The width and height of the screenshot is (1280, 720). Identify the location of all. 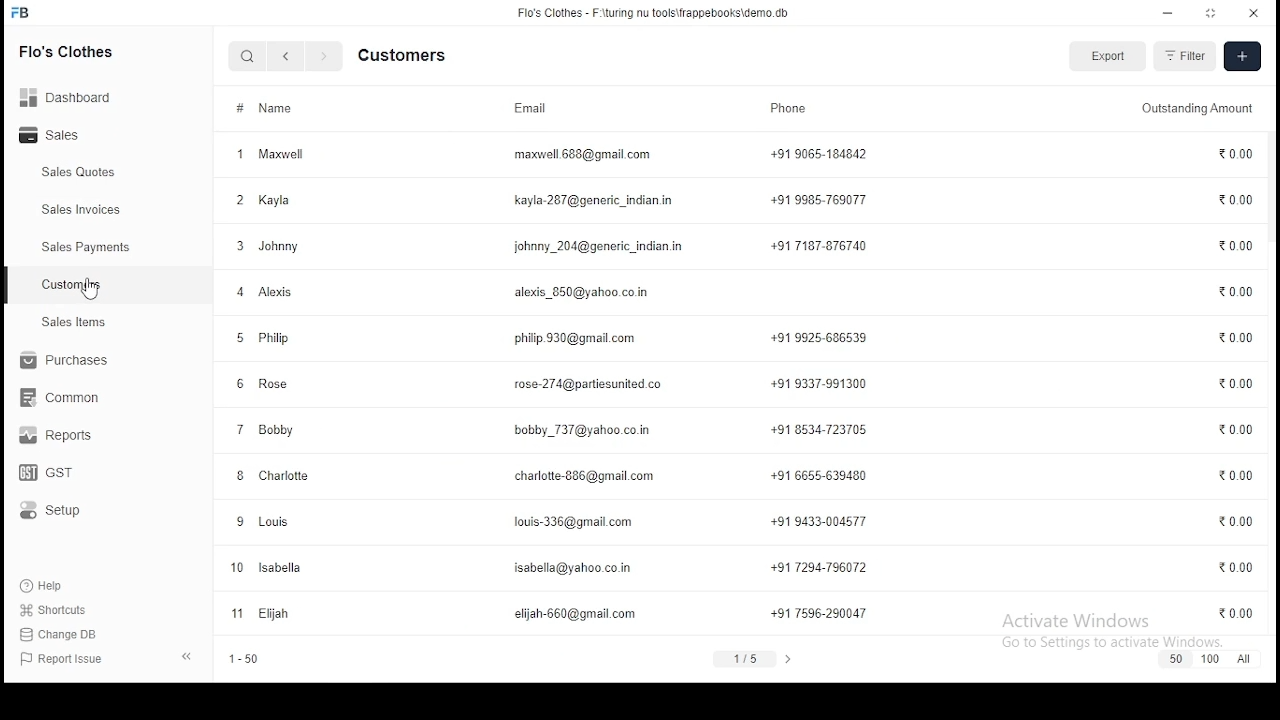
(1242, 660).